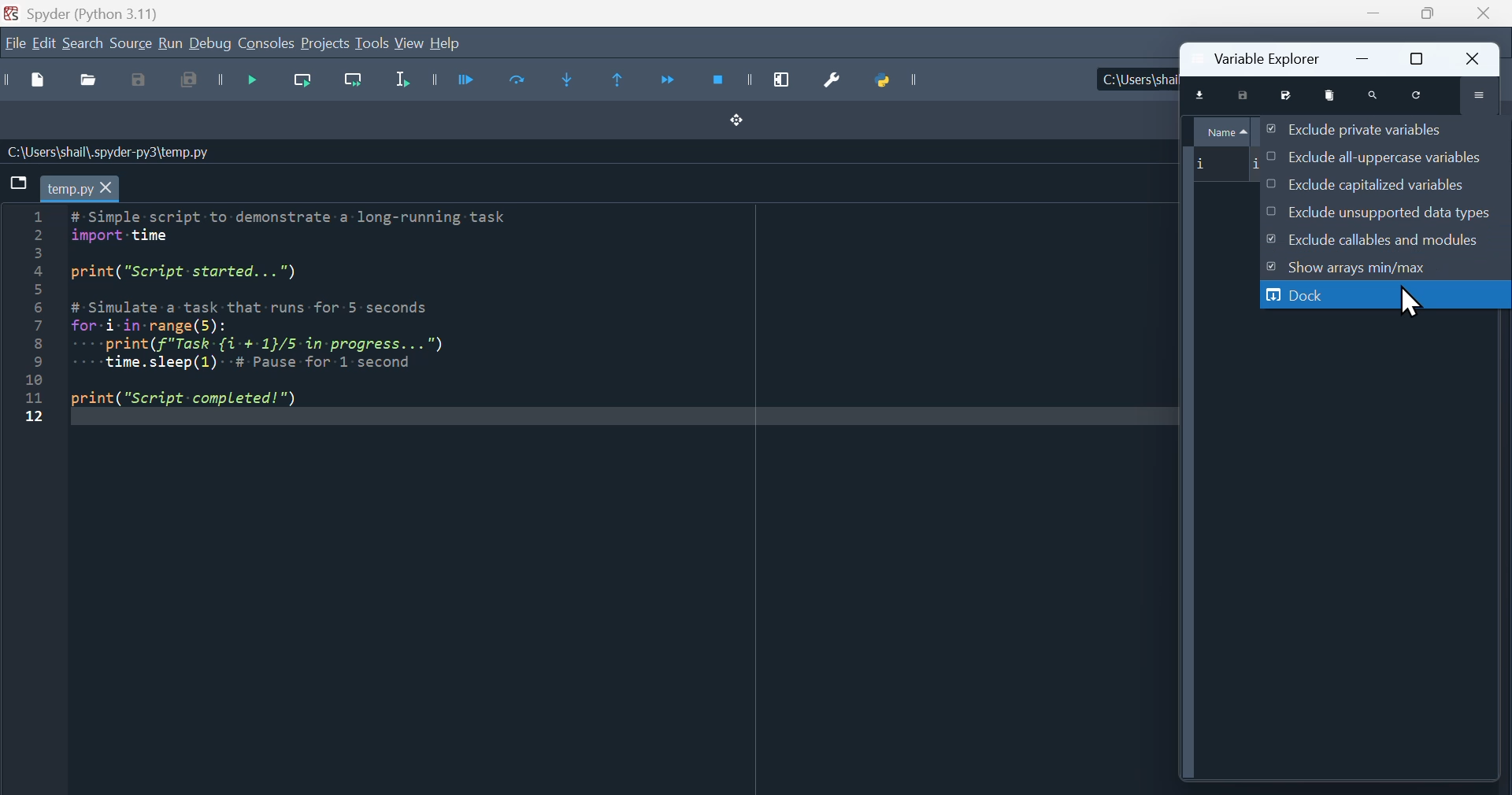  I want to click on temp.py, so click(80, 188).